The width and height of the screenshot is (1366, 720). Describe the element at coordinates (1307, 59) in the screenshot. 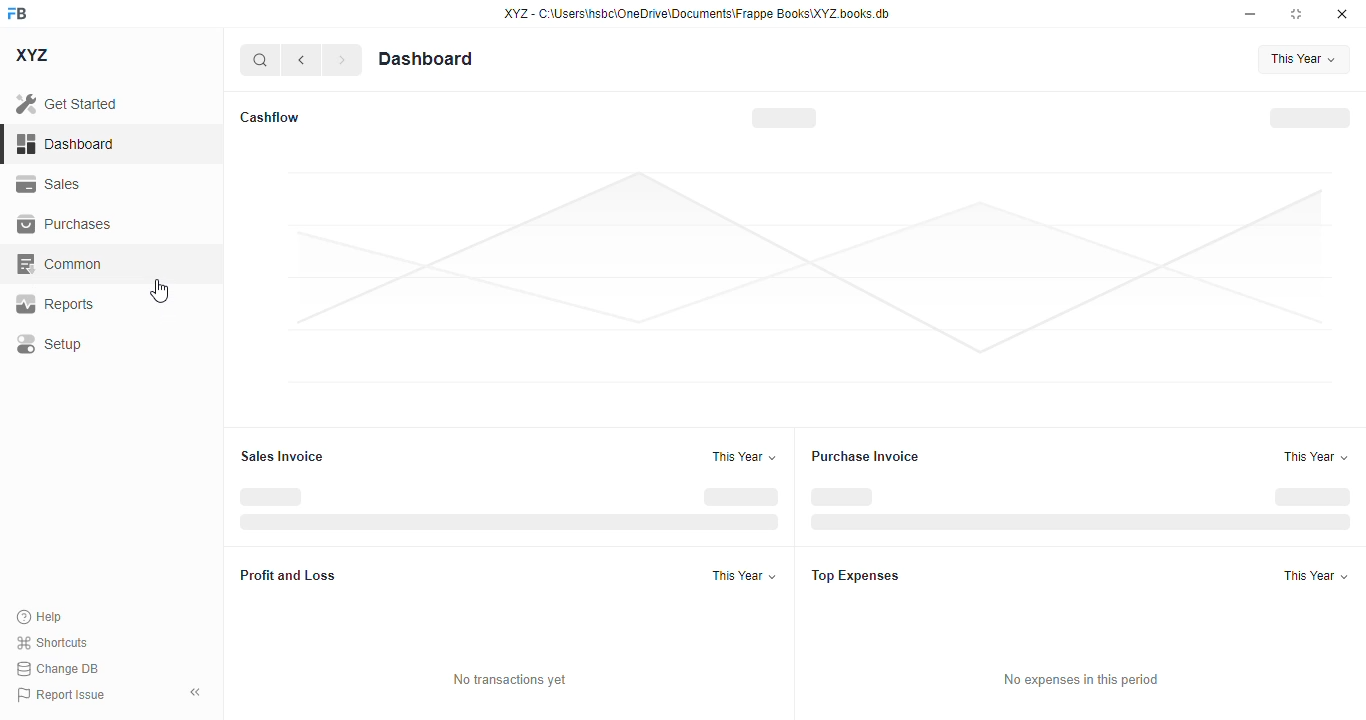

I see `this year` at that location.